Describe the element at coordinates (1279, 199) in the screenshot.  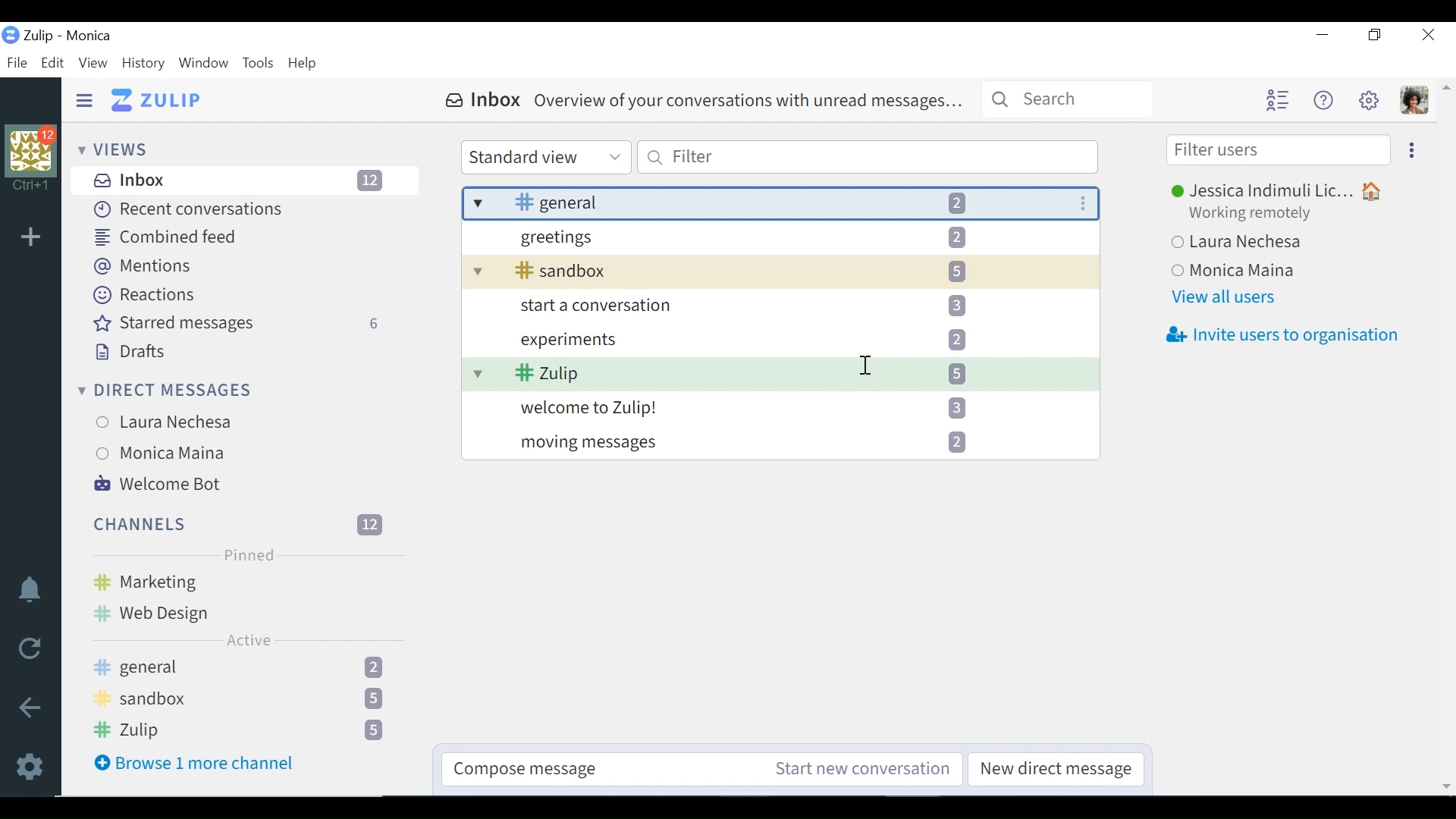
I see `® Jessica Indimuli Lic... #Y
Working remotely` at that location.